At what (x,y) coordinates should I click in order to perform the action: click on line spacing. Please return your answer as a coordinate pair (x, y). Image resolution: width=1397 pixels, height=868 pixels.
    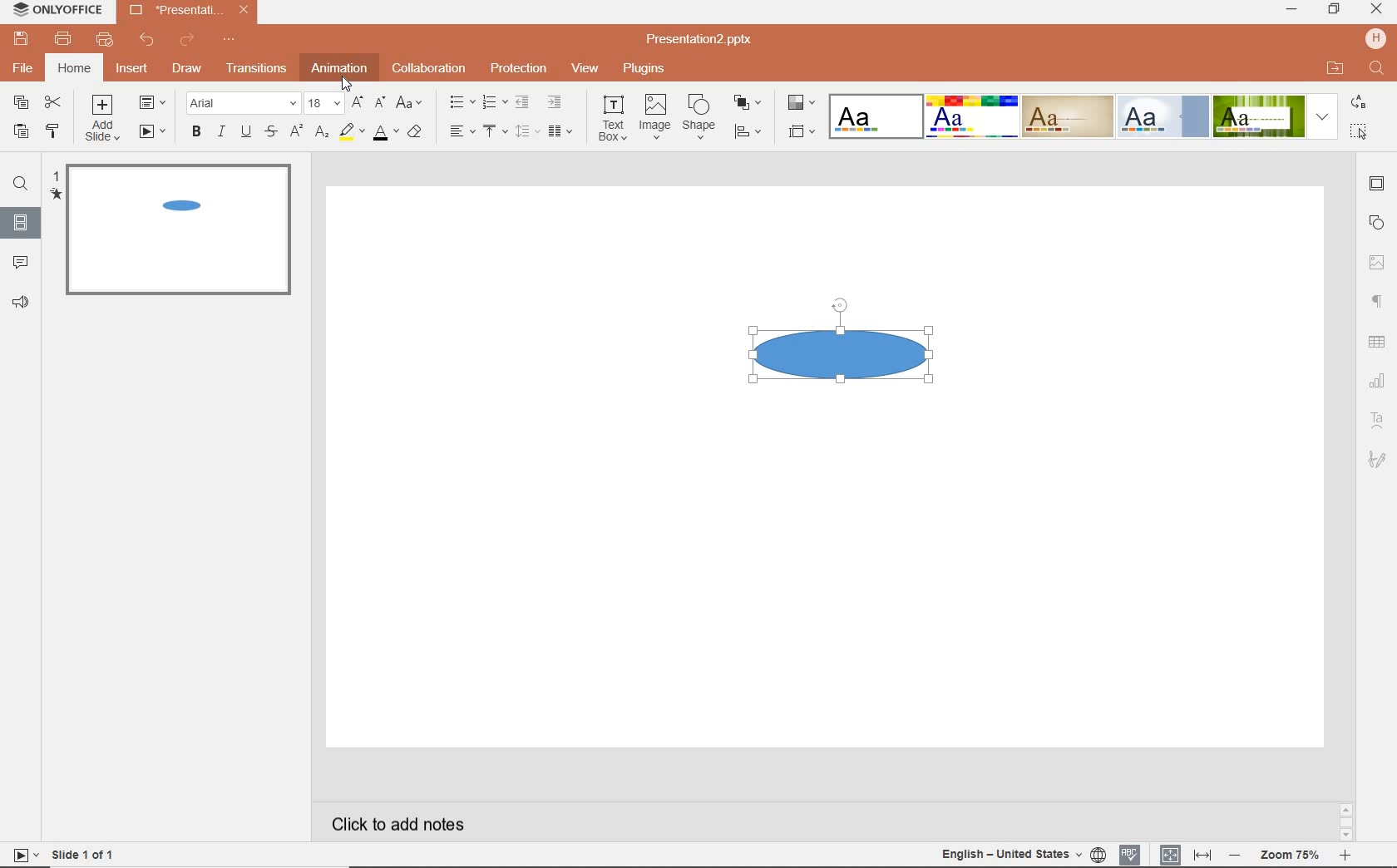
    Looking at the image, I should click on (527, 131).